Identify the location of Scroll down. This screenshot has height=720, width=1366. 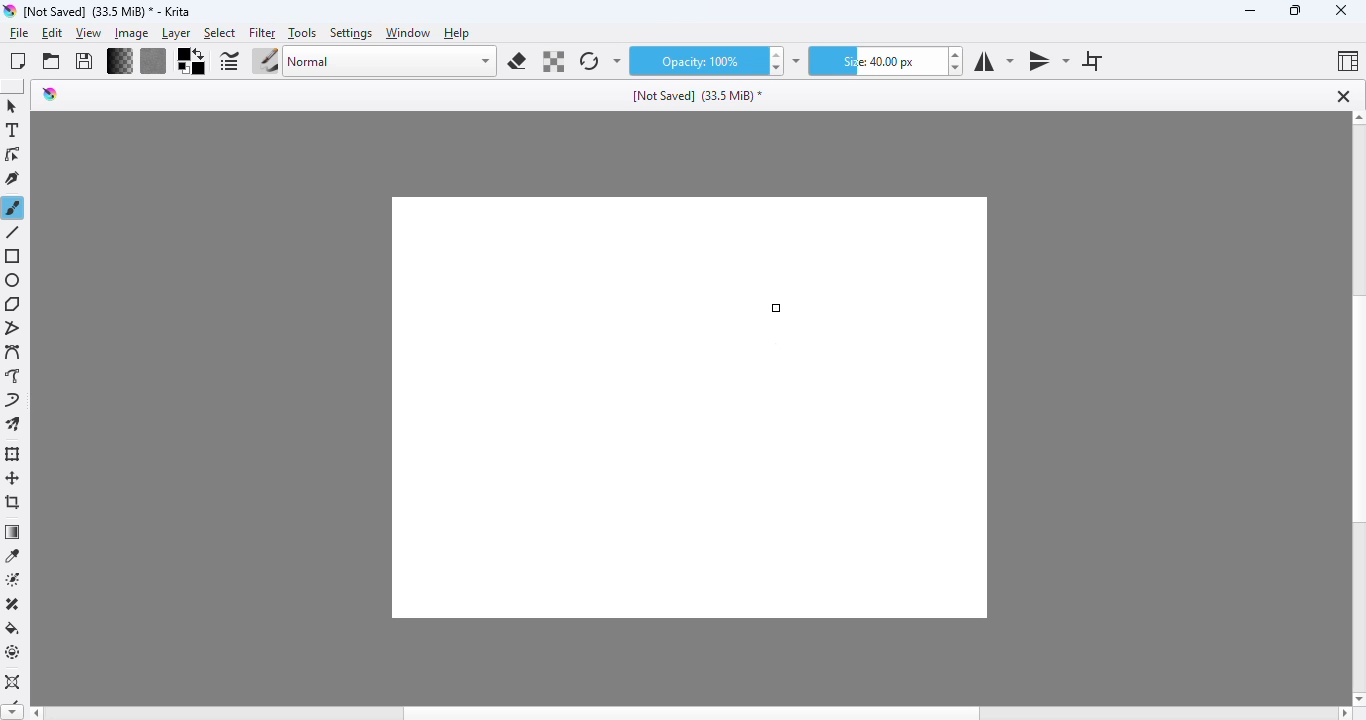
(12, 711).